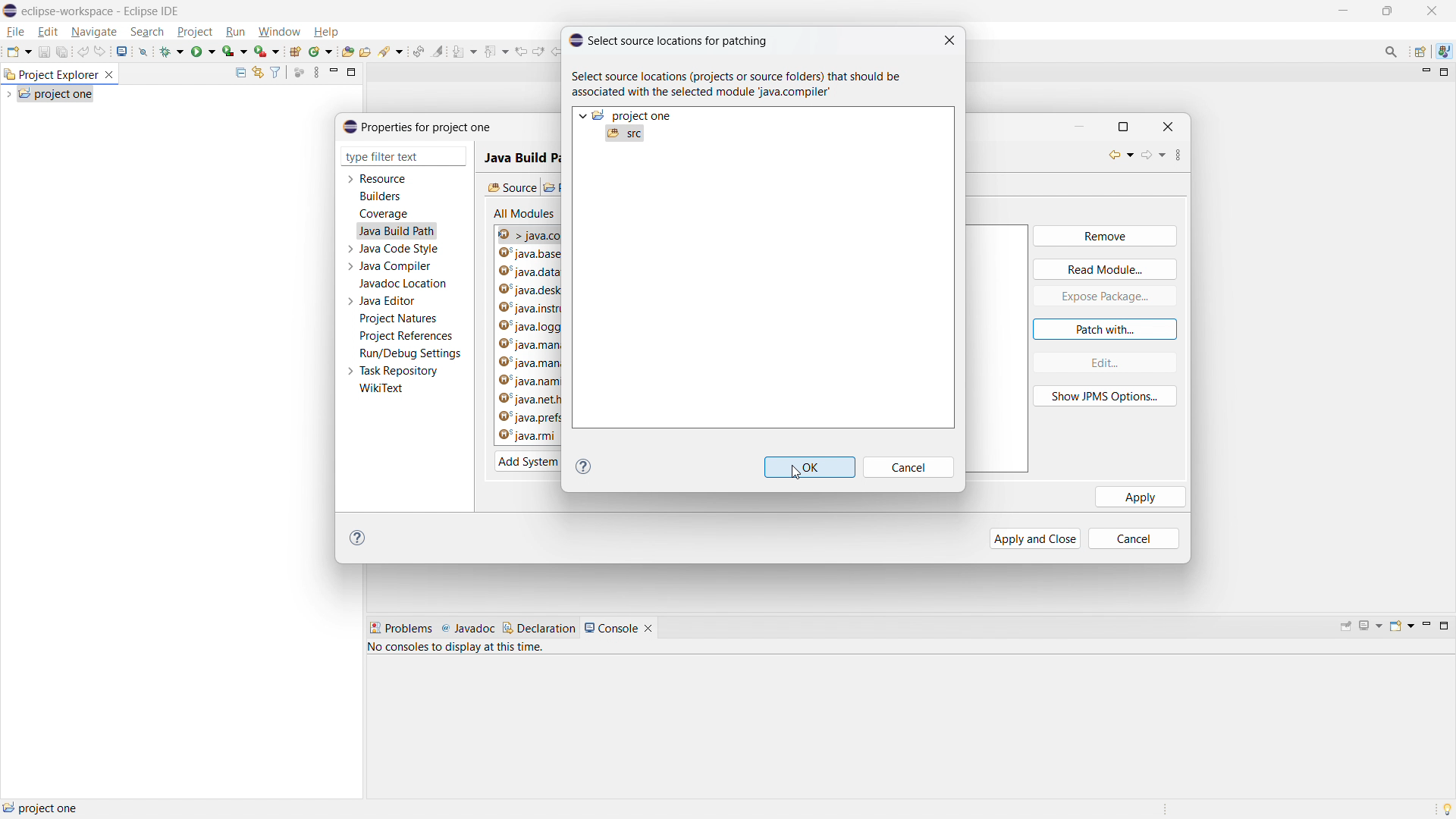 Image resolution: width=1456 pixels, height=819 pixels. What do you see at coordinates (1342, 11) in the screenshot?
I see `maximize` at bounding box center [1342, 11].